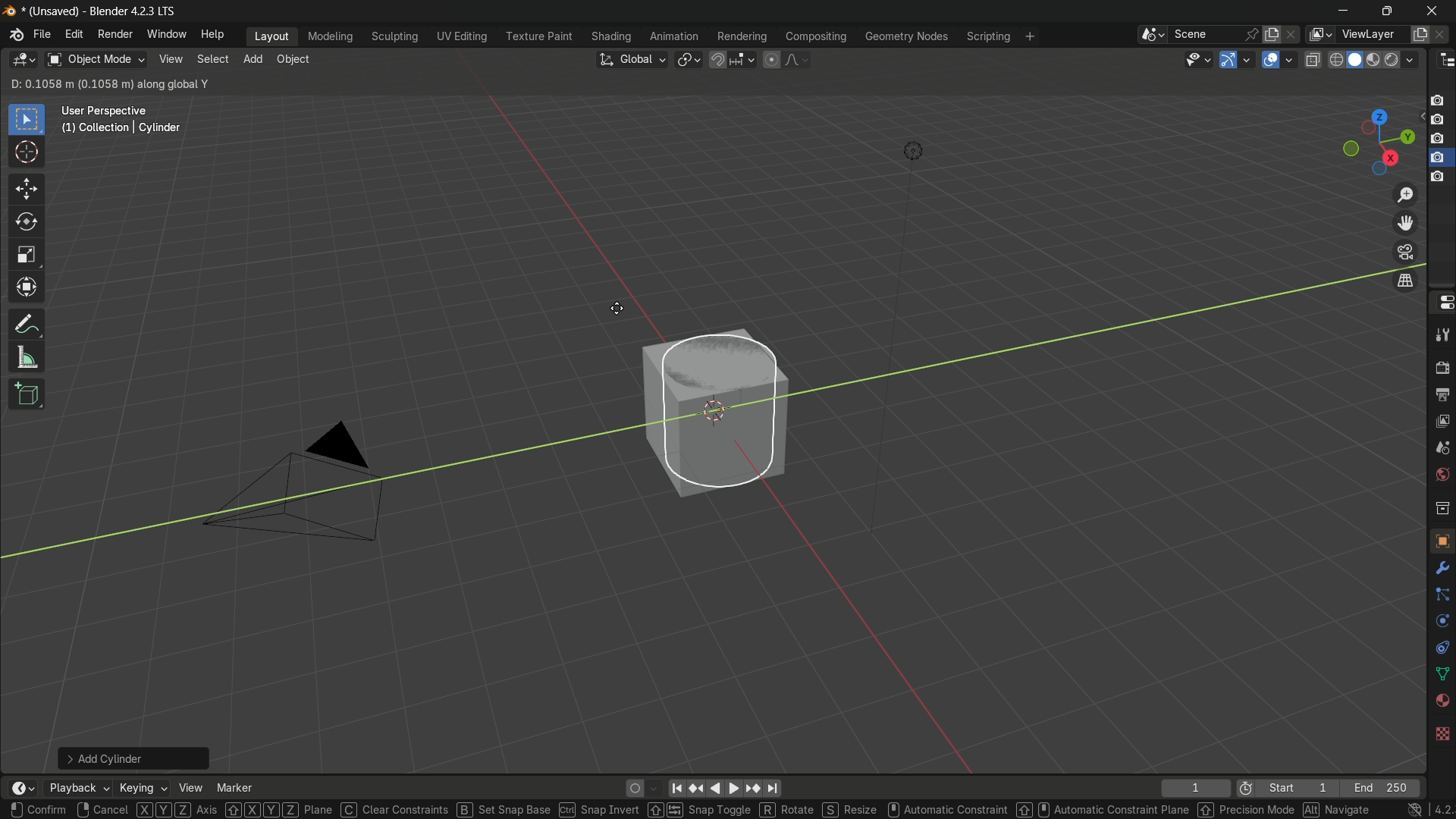  What do you see at coordinates (27, 288) in the screenshot?
I see `transform` at bounding box center [27, 288].